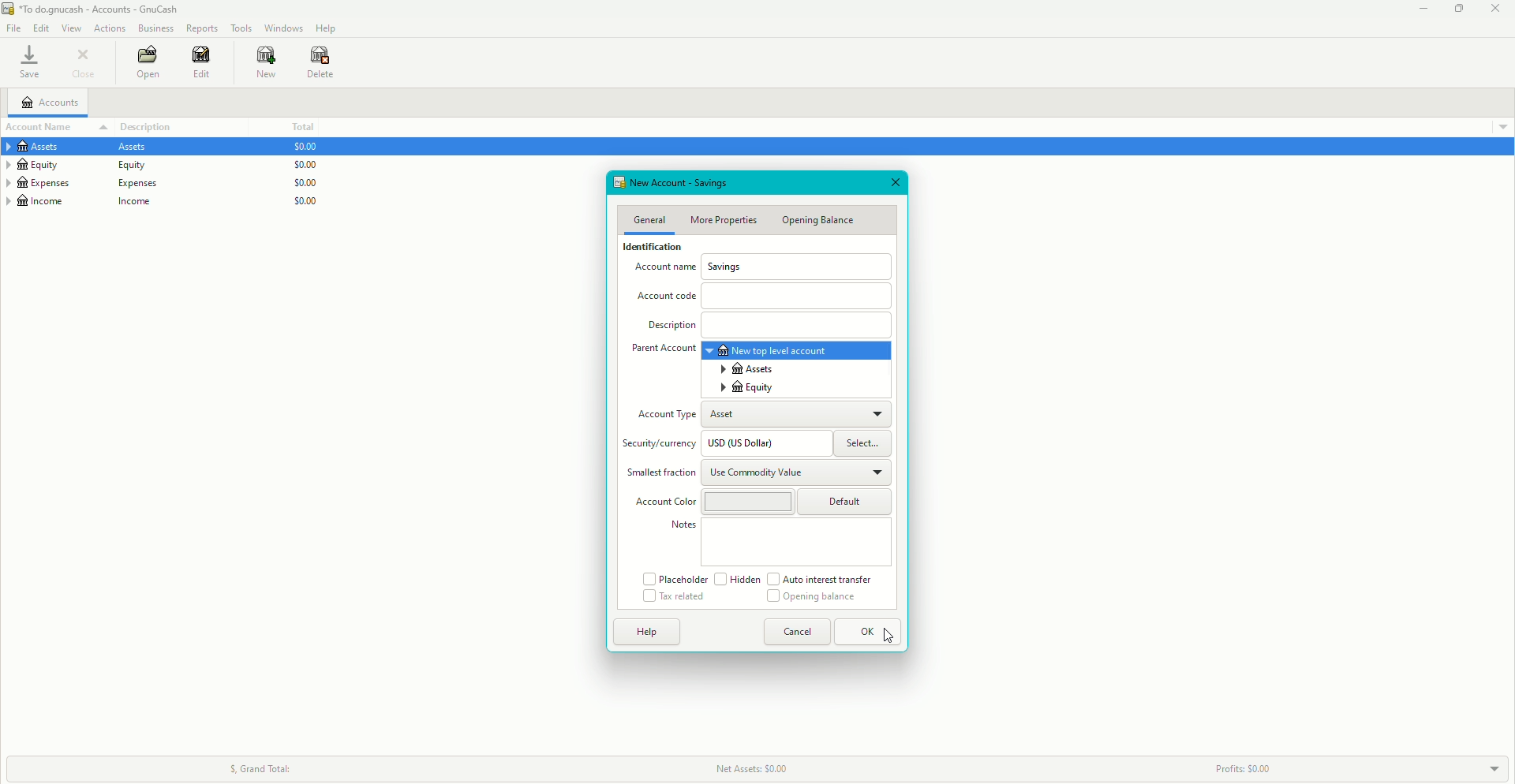 This screenshot has width=1515, height=784. Describe the element at coordinates (41, 28) in the screenshot. I see `Edit` at that location.